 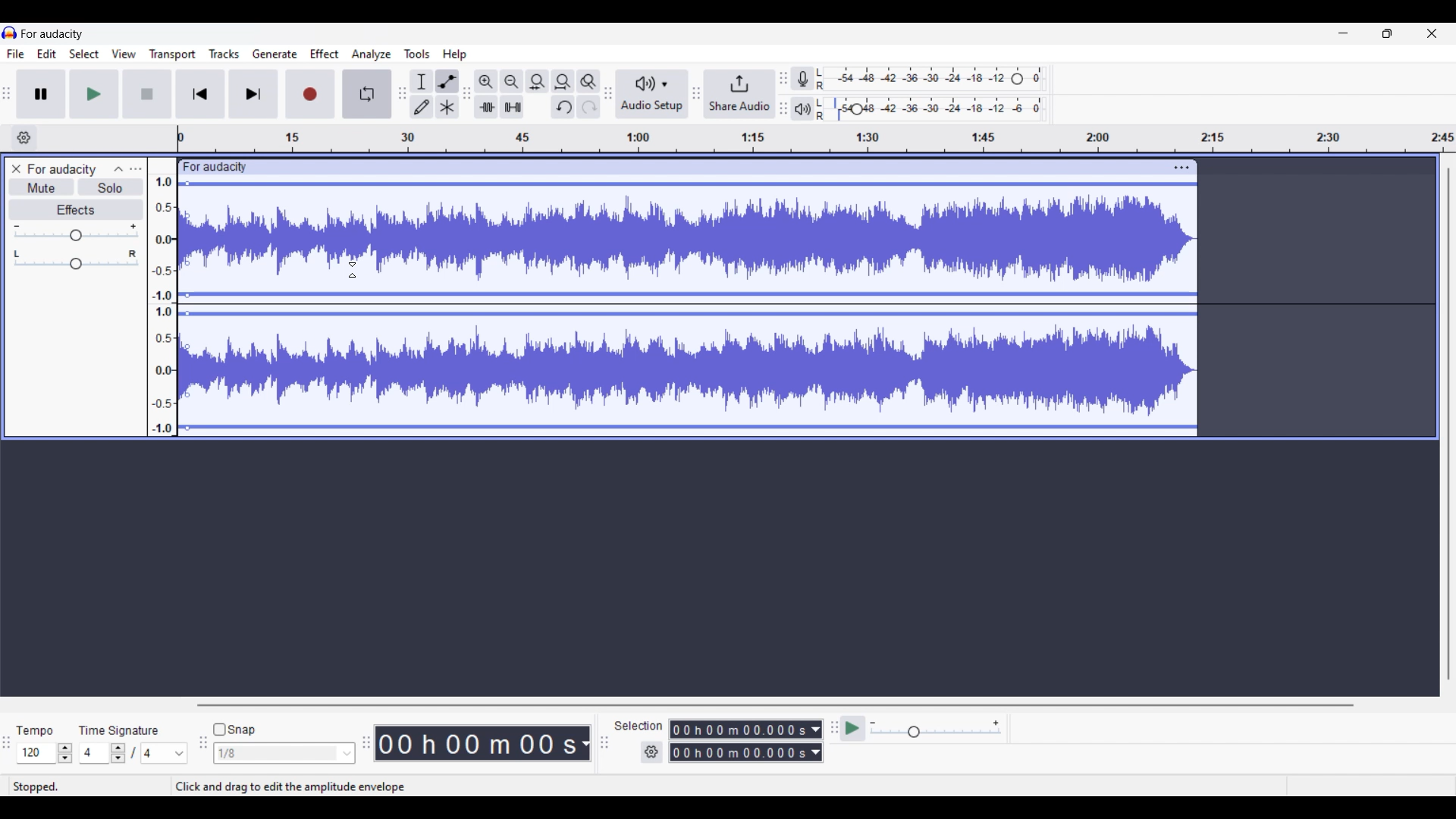 What do you see at coordinates (224, 54) in the screenshot?
I see `Tracks` at bounding box center [224, 54].